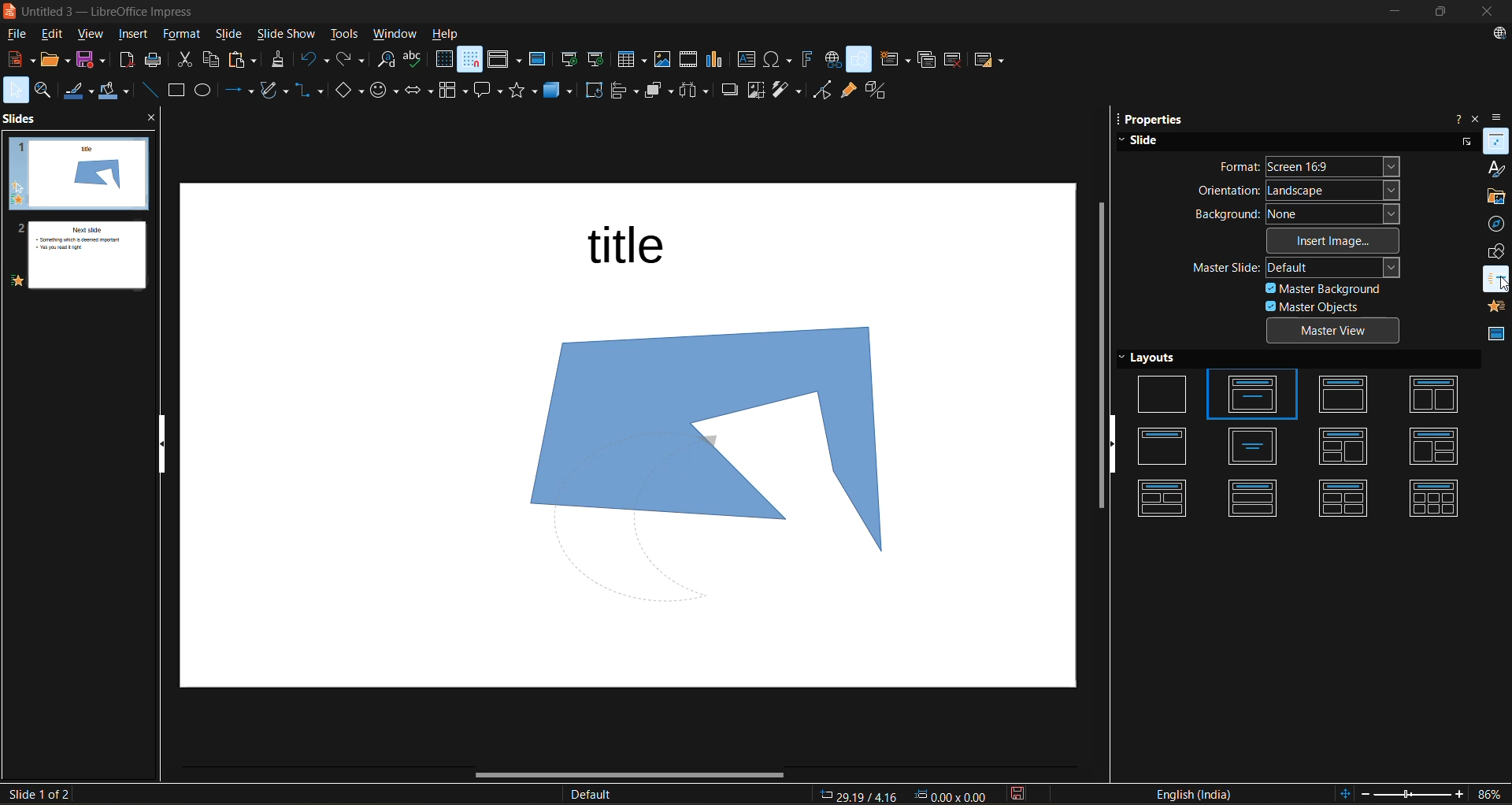 Image resolution: width=1512 pixels, height=805 pixels. I want to click on crop image, so click(755, 90).